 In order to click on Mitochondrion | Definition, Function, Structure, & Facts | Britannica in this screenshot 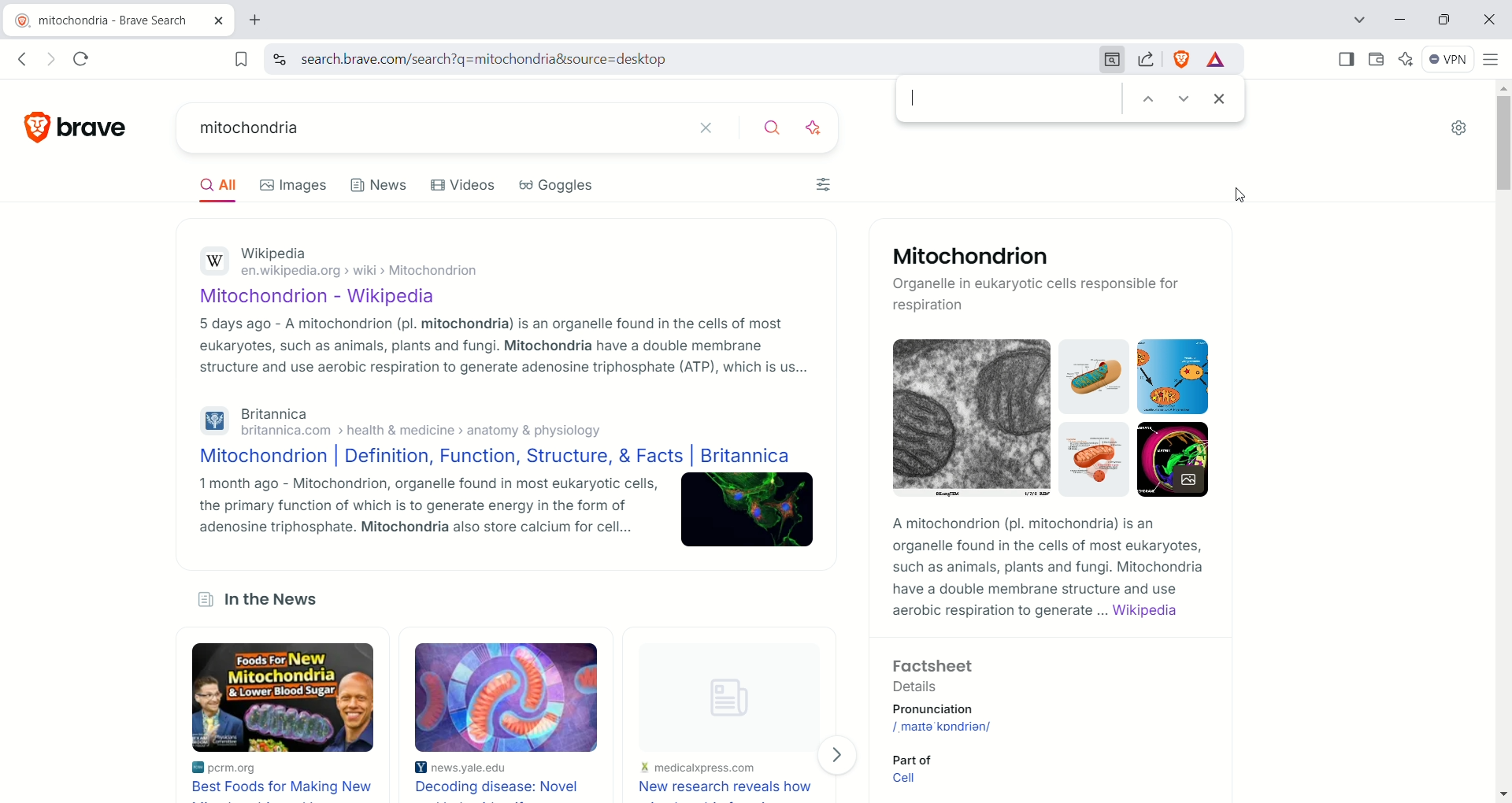, I will do `click(495, 455)`.